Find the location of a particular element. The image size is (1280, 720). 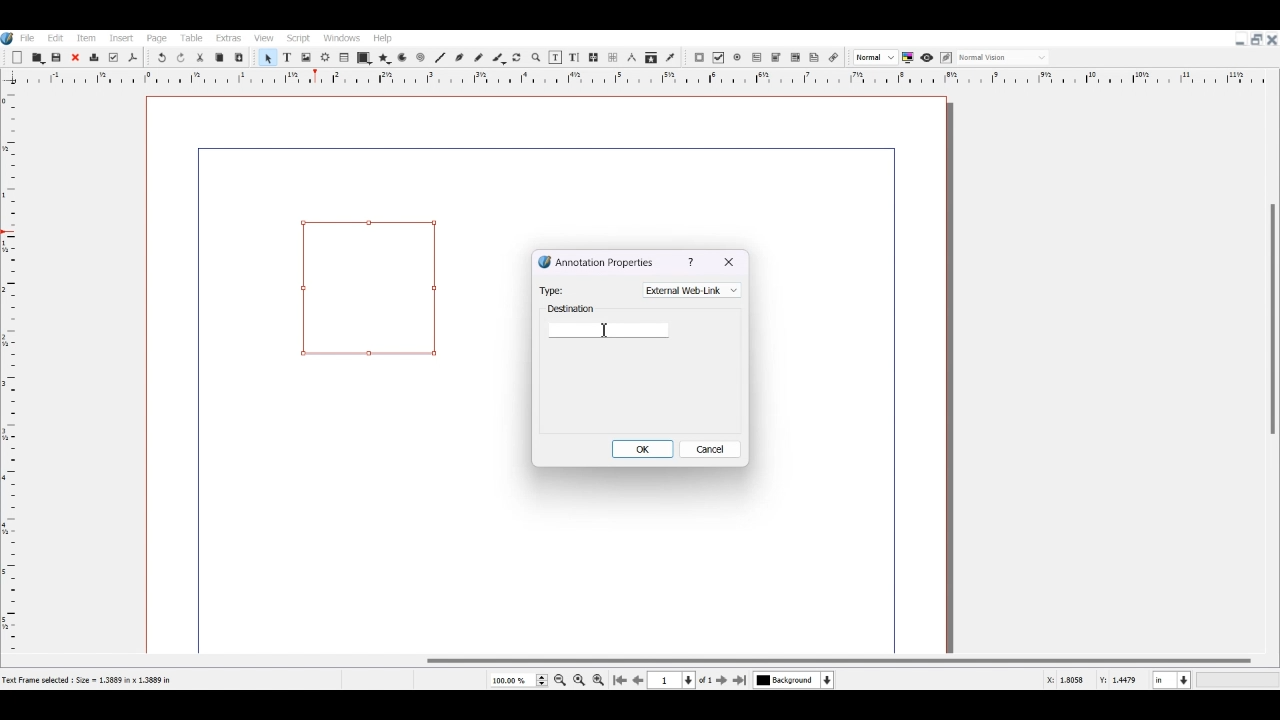

PDF Push Button is located at coordinates (699, 58).